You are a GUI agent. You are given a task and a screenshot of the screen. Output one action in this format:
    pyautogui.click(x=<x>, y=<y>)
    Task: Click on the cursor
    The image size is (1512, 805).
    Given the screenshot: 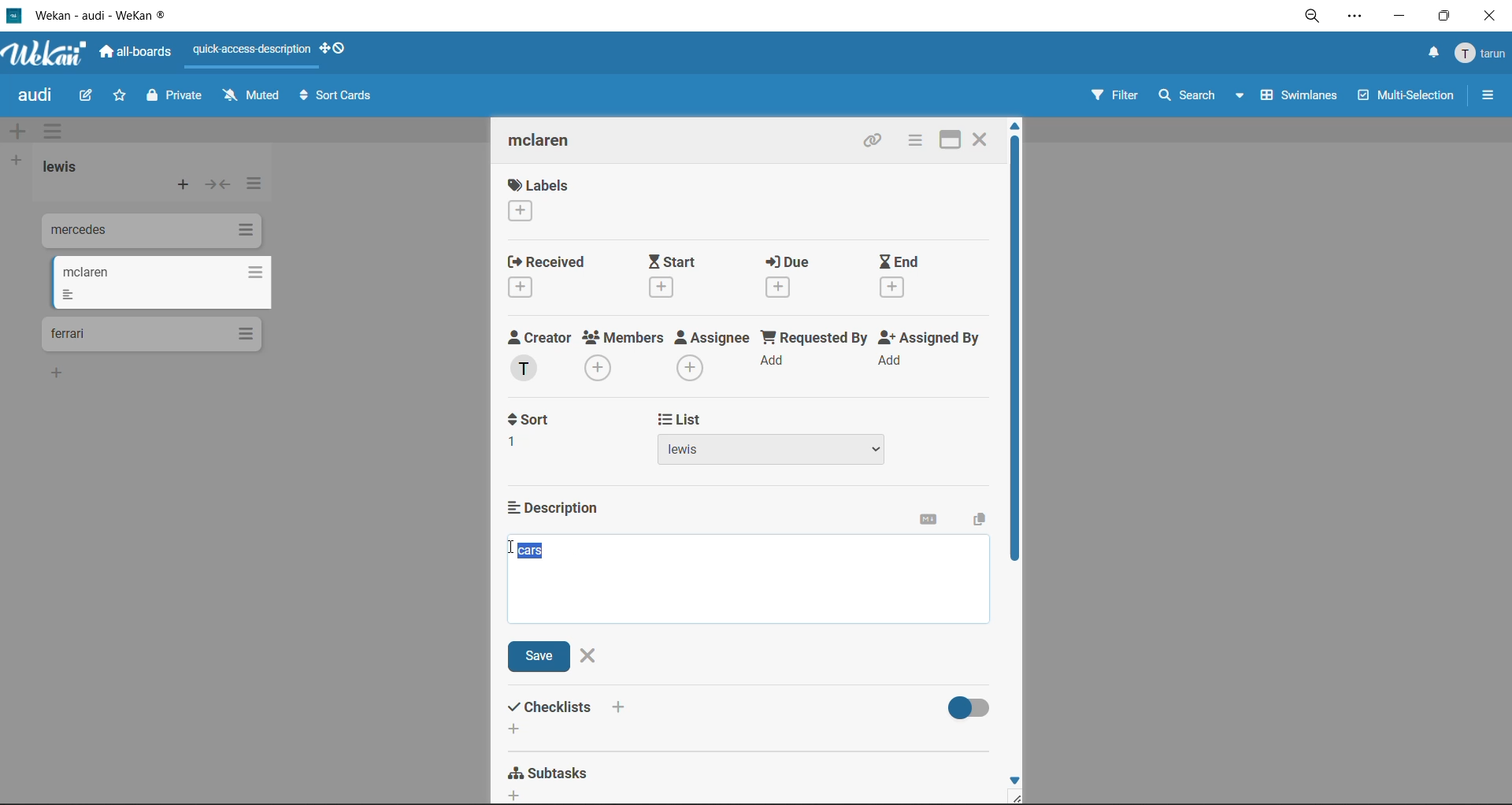 What is the action you would take?
    pyautogui.click(x=510, y=550)
    